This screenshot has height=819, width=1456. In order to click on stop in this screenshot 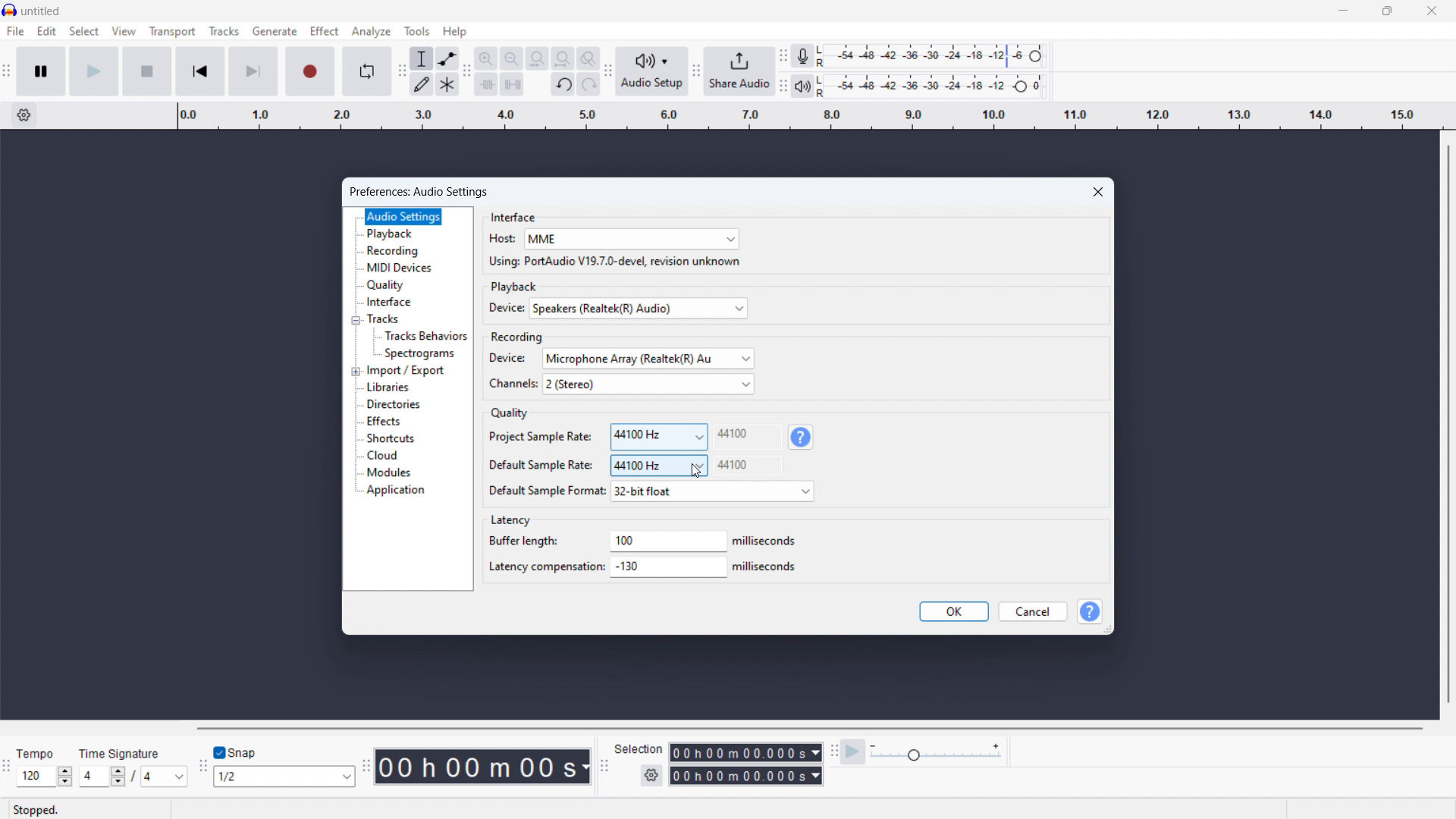, I will do `click(148, 71)`.